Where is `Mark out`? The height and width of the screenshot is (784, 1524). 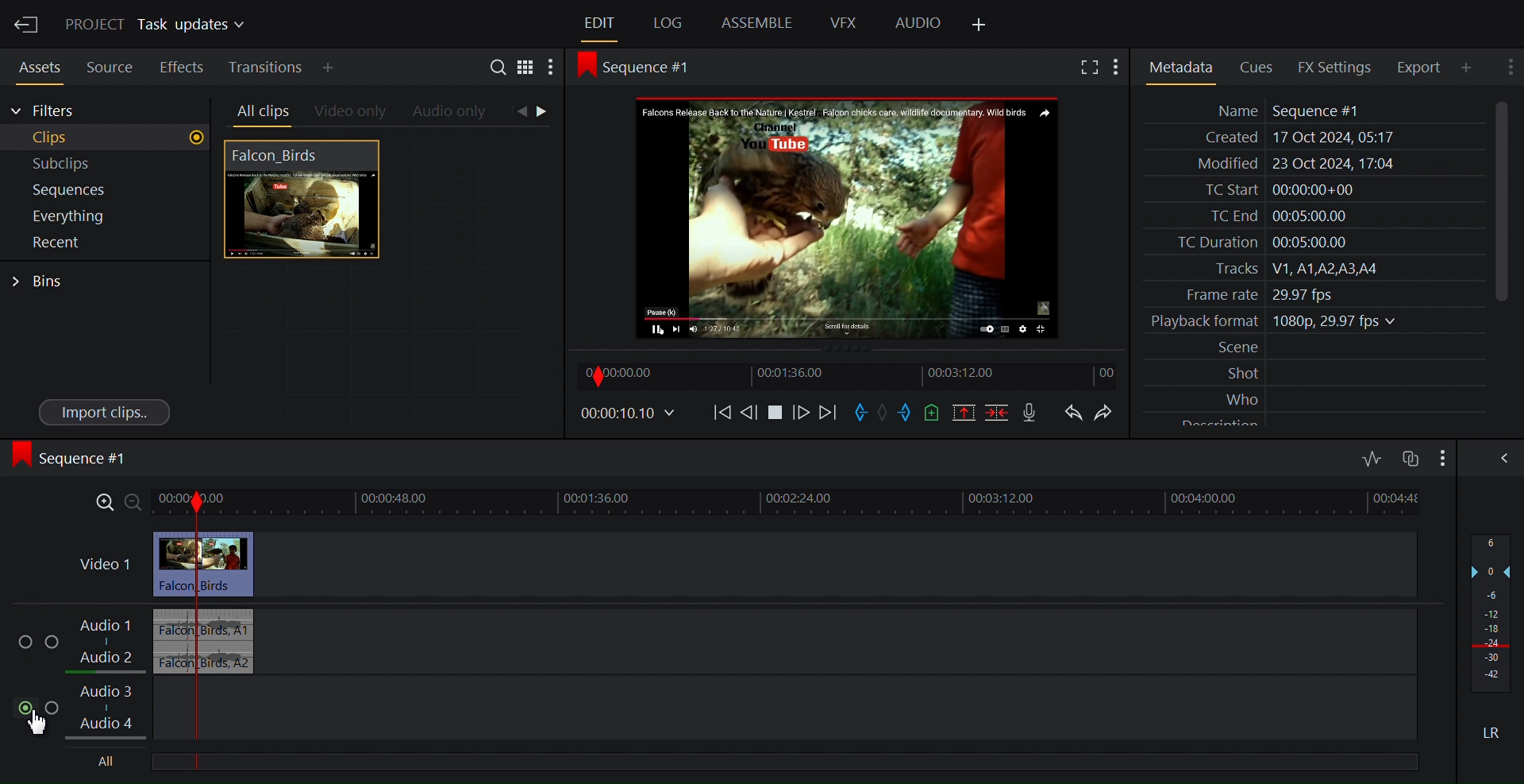 Mark out is located at coordinates (910, 412).